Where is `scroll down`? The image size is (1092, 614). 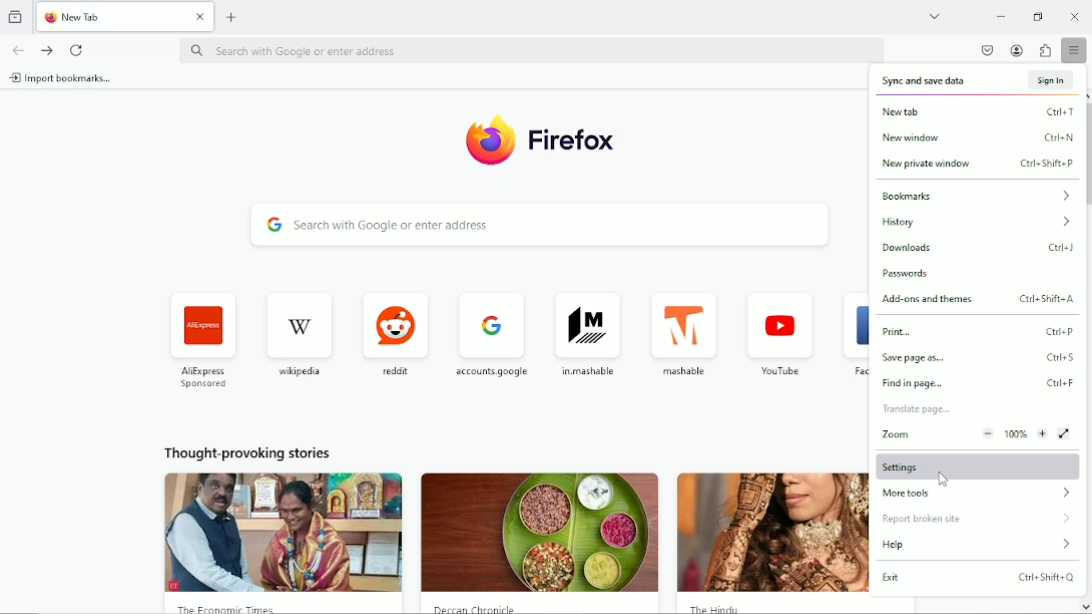
scroll down is located at coordinates (1083, 606).